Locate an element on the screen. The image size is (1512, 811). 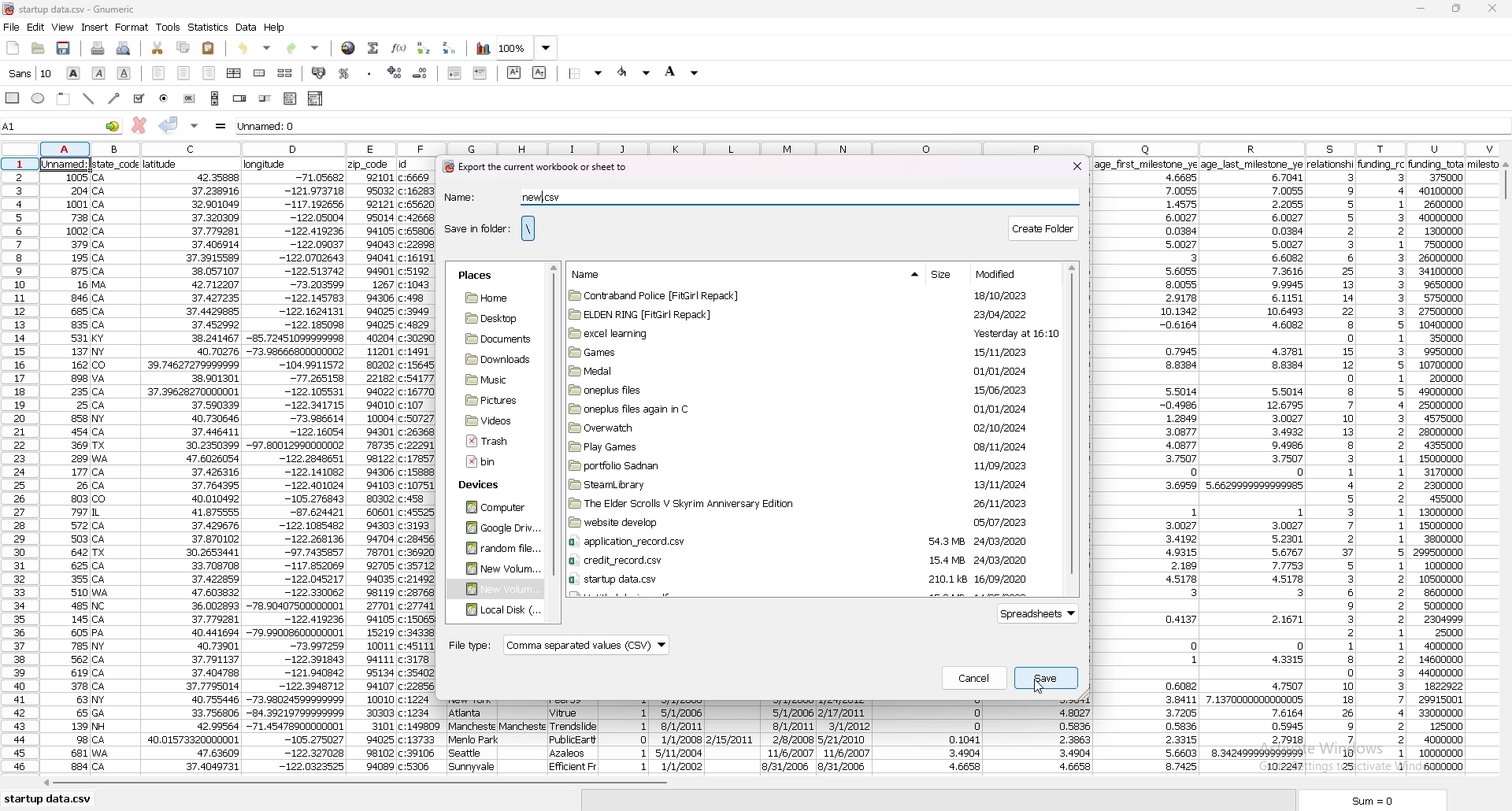
data is located at coordinates (296, 466).